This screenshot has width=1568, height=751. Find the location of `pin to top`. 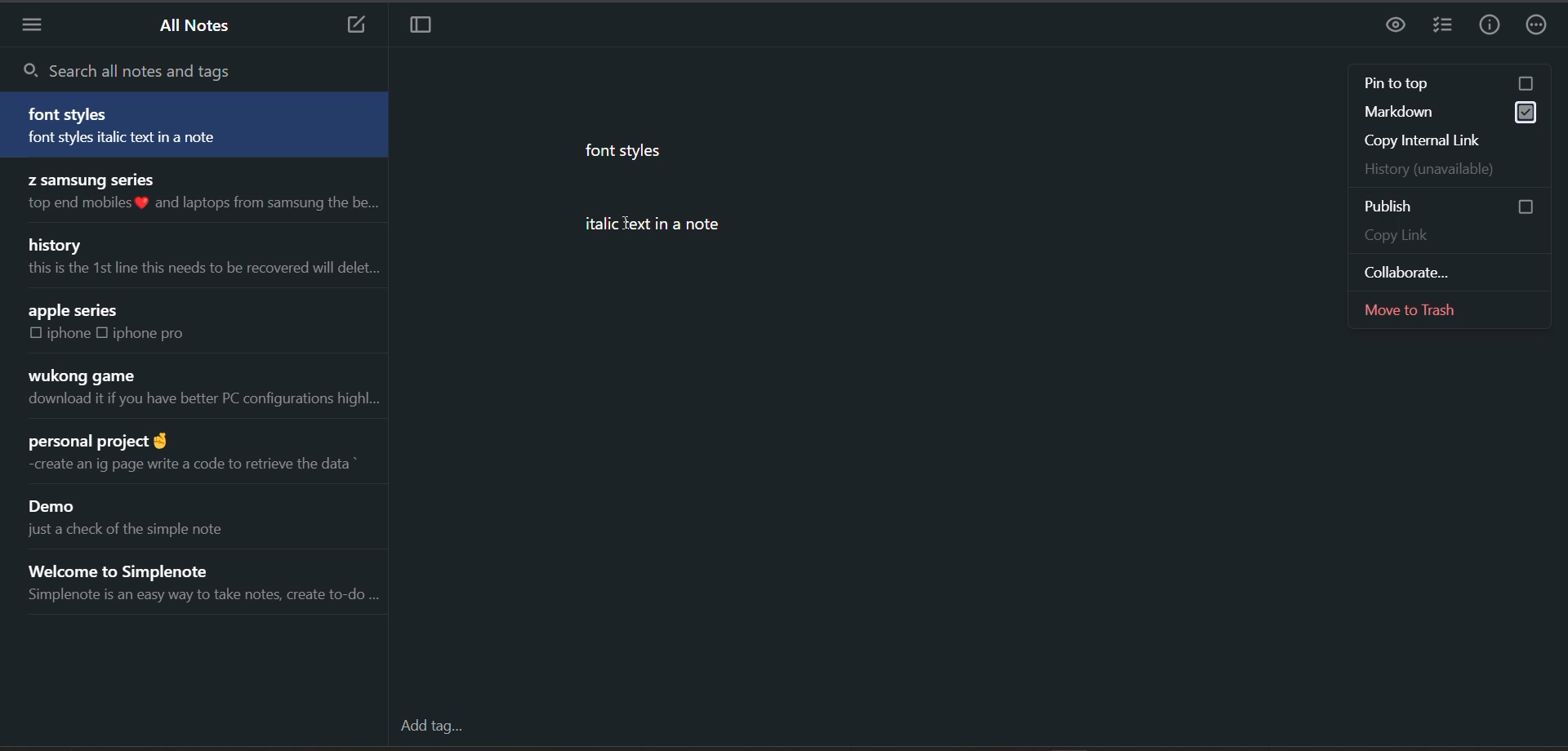

pin to top is located at coordinates (1446, 84).